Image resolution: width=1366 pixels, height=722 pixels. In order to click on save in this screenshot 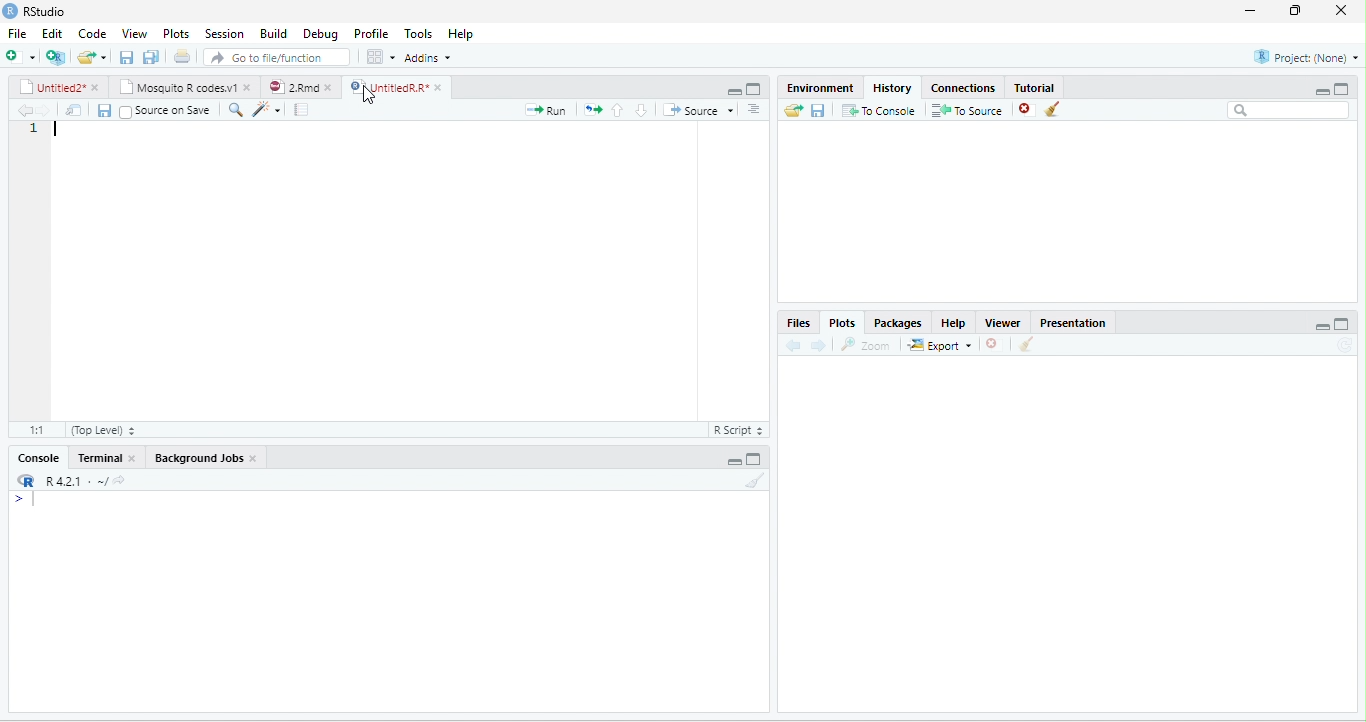, I will do `click(817, 110)`.